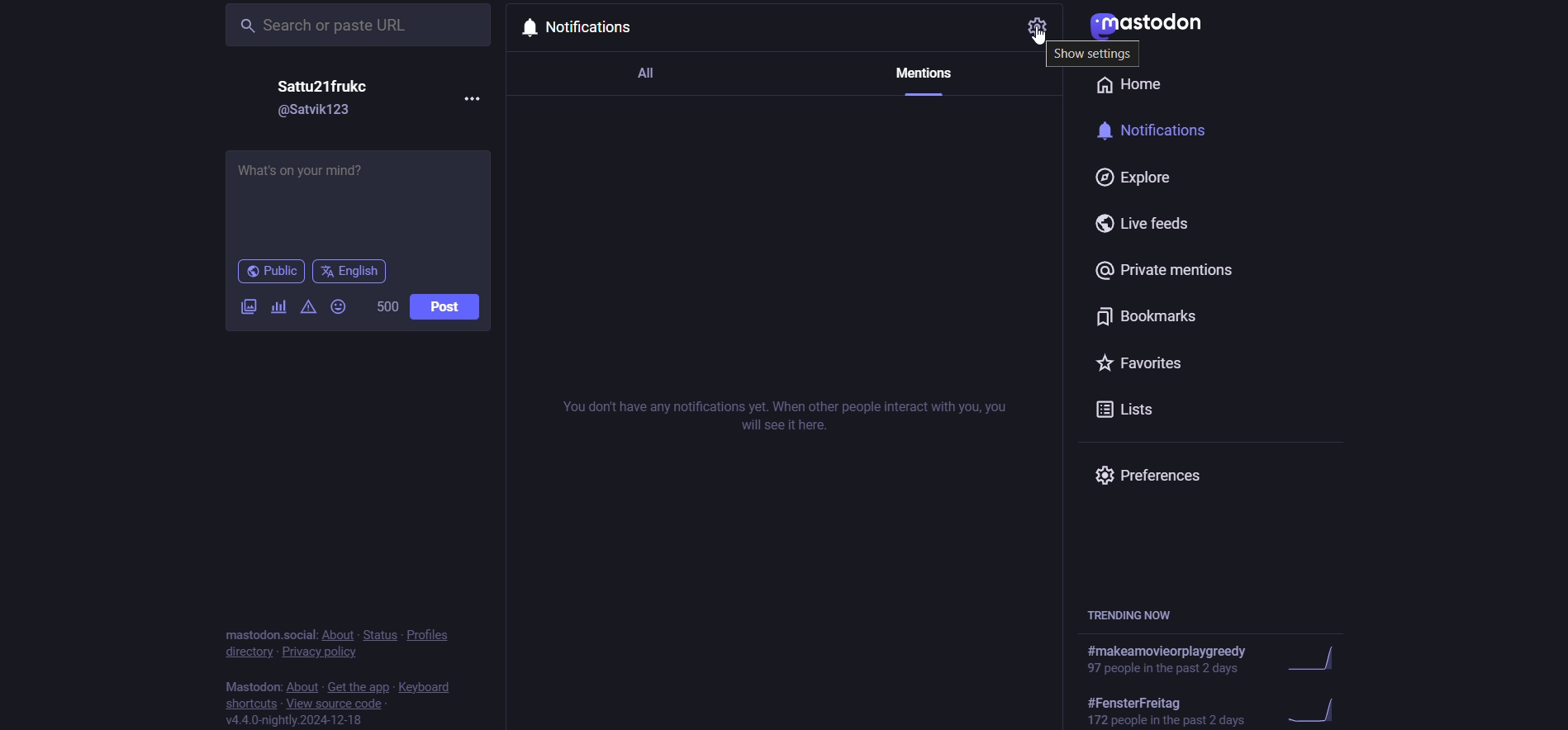 Image resolution: width=1568 pixels, height=730 pixels. What do you see at coordinates (349, 273) in the screenshot?
I see `English` at bounding box center [349, 273].